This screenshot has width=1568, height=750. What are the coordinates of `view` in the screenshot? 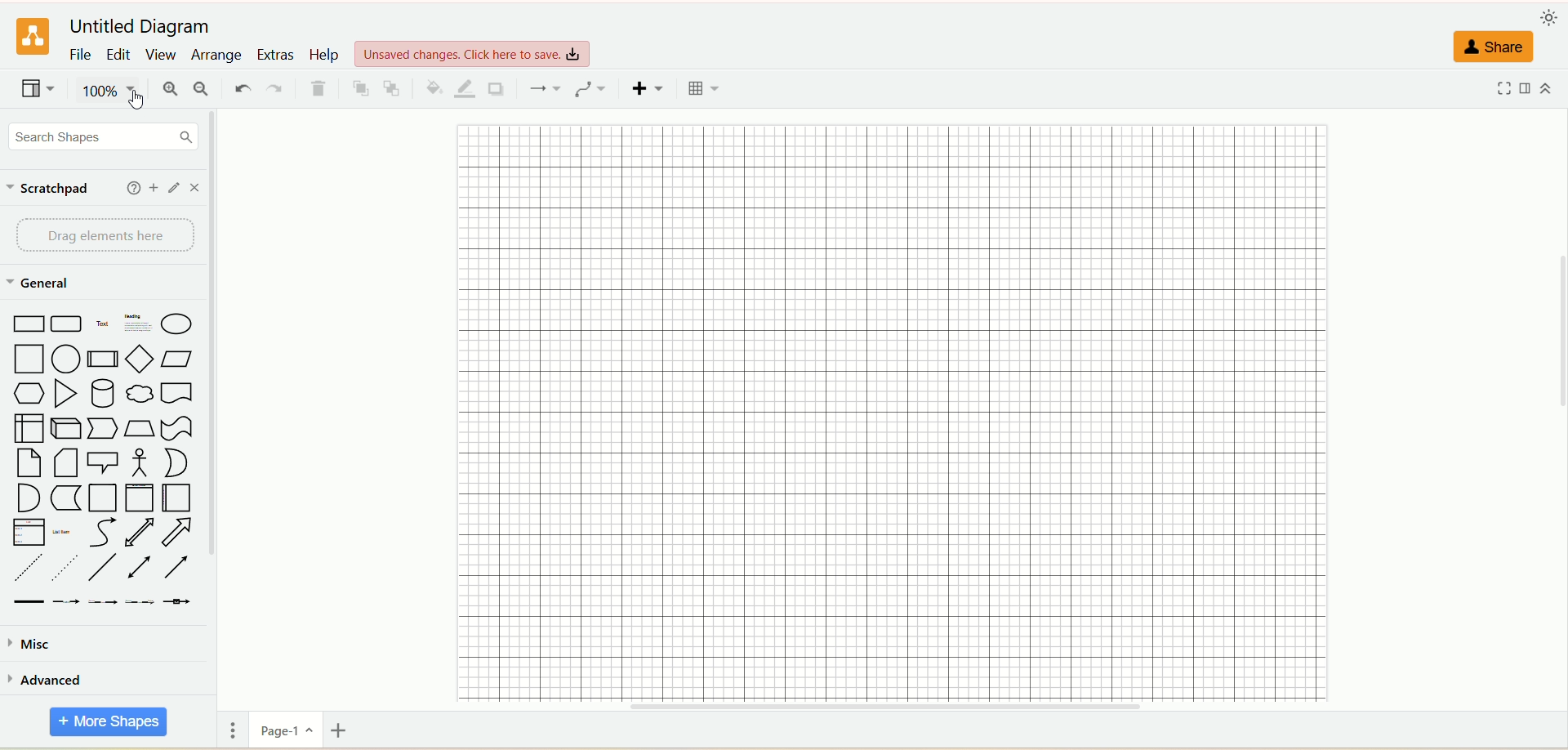 It's located at (38, 90).